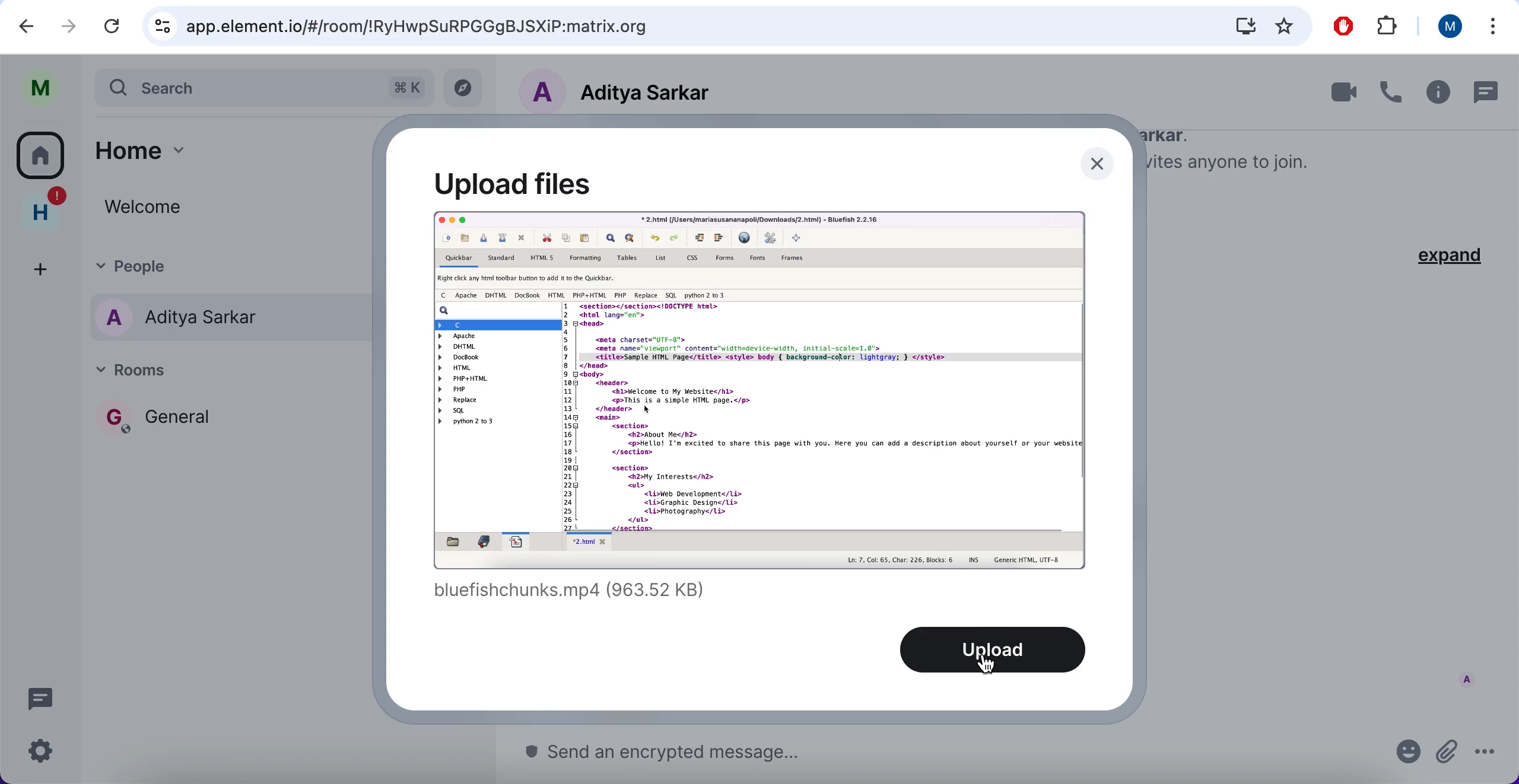 Image resolution: width=1519 pixels, height=784 pixels. Describe the element at coordinates (42, 153) in the screenshot. I see `rooms` at that location.